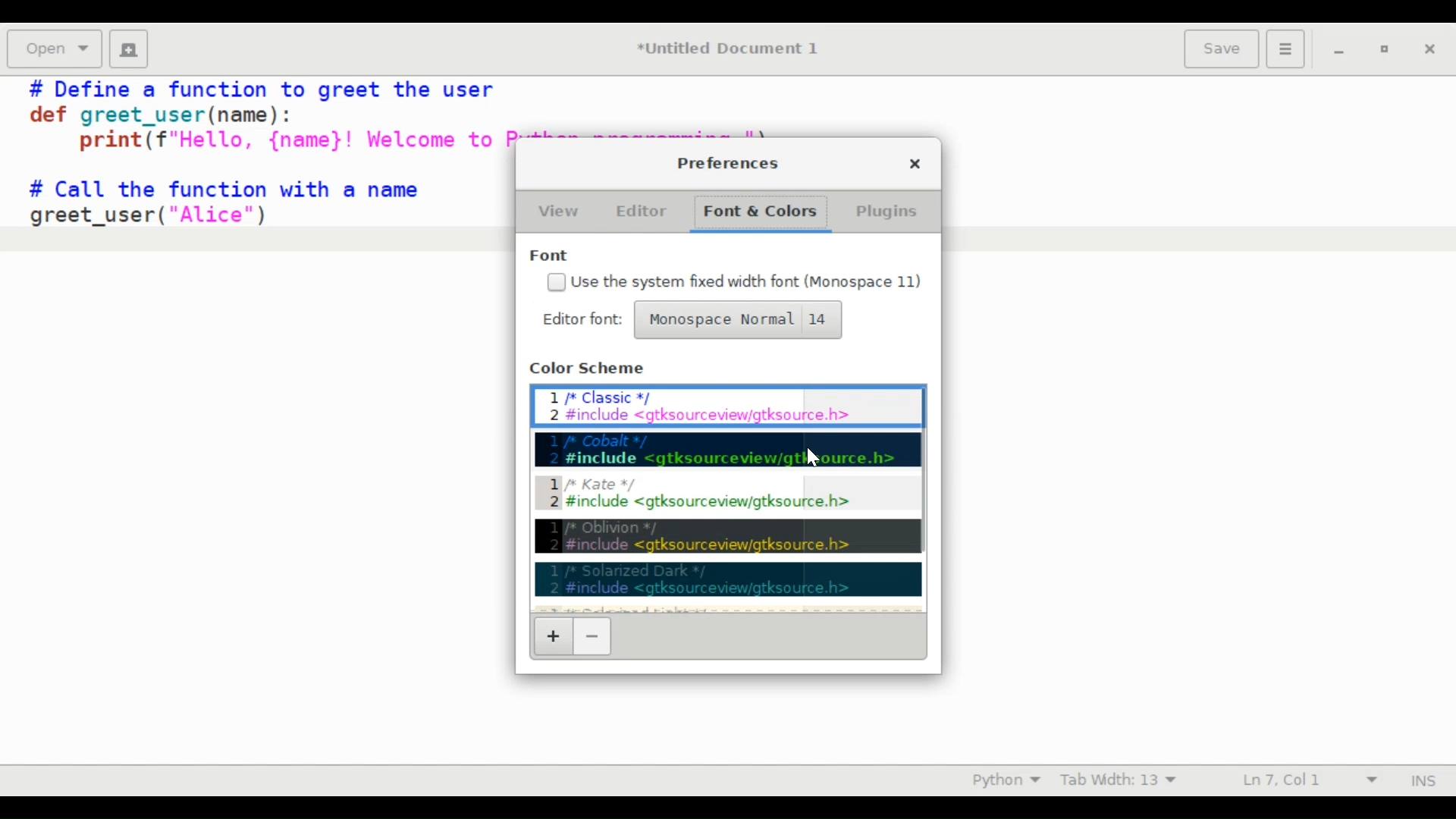 Image resolution: width=1456 pixels, height=819 pixels. What do you see at coordinates (758, 214) in the screenshot?
I see `Fonts & Colors` at bounding box center [758, 214].